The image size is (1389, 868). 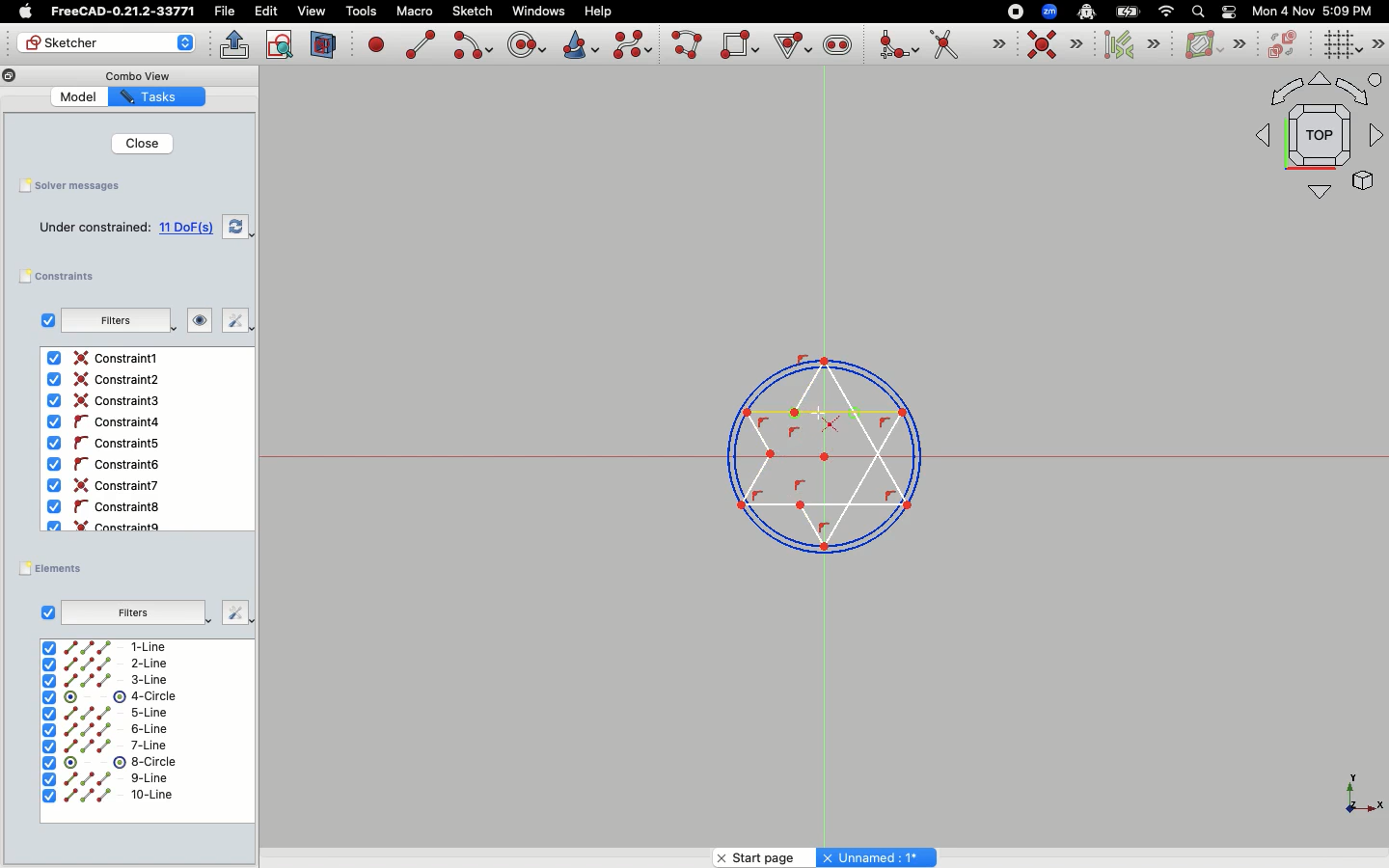 What do you see at coordinates (688, 46) in the screenshot?
I see `Create poly line` at bounding box center [688, 46].